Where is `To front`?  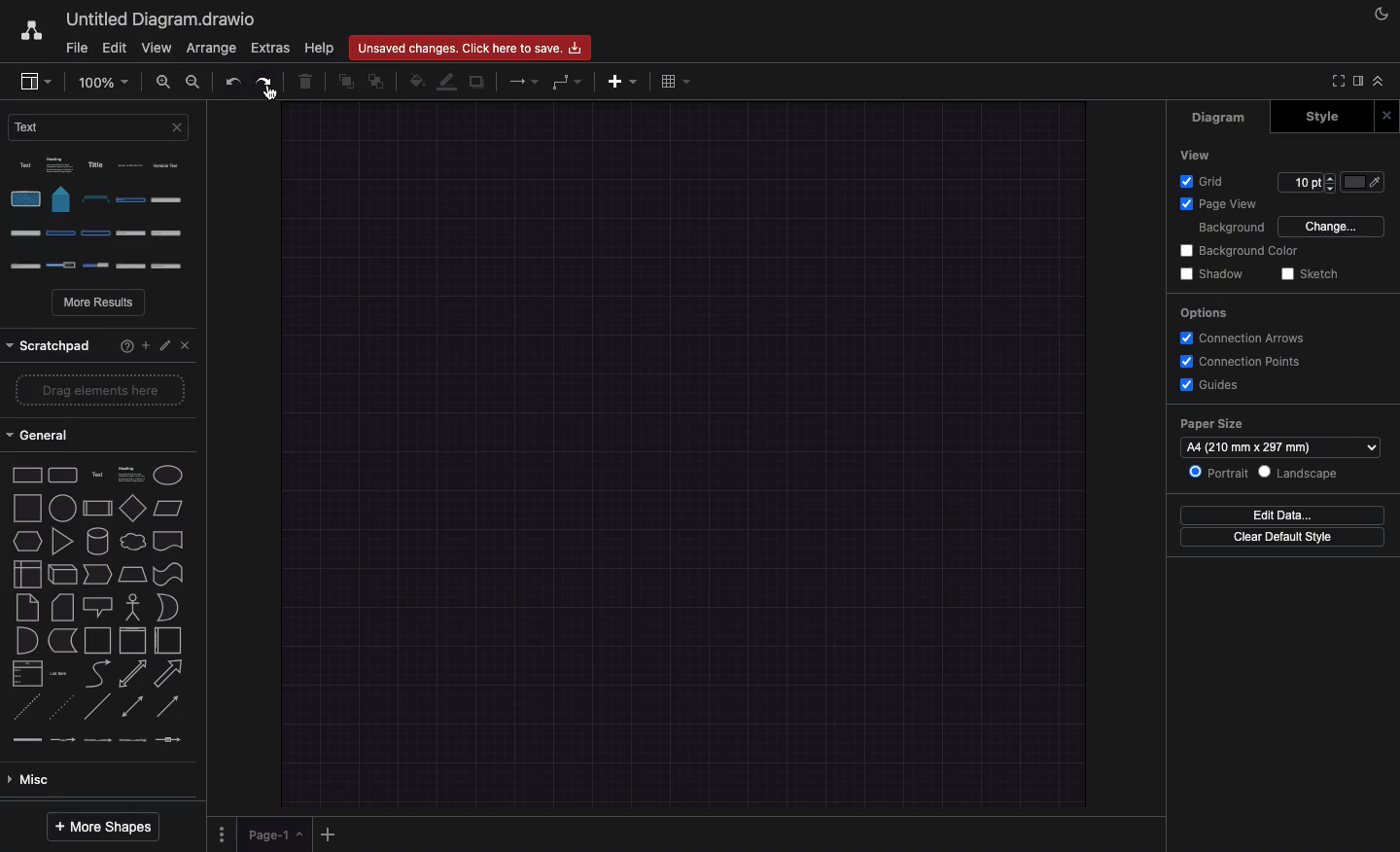 To front is located at coordinates (345, 83).